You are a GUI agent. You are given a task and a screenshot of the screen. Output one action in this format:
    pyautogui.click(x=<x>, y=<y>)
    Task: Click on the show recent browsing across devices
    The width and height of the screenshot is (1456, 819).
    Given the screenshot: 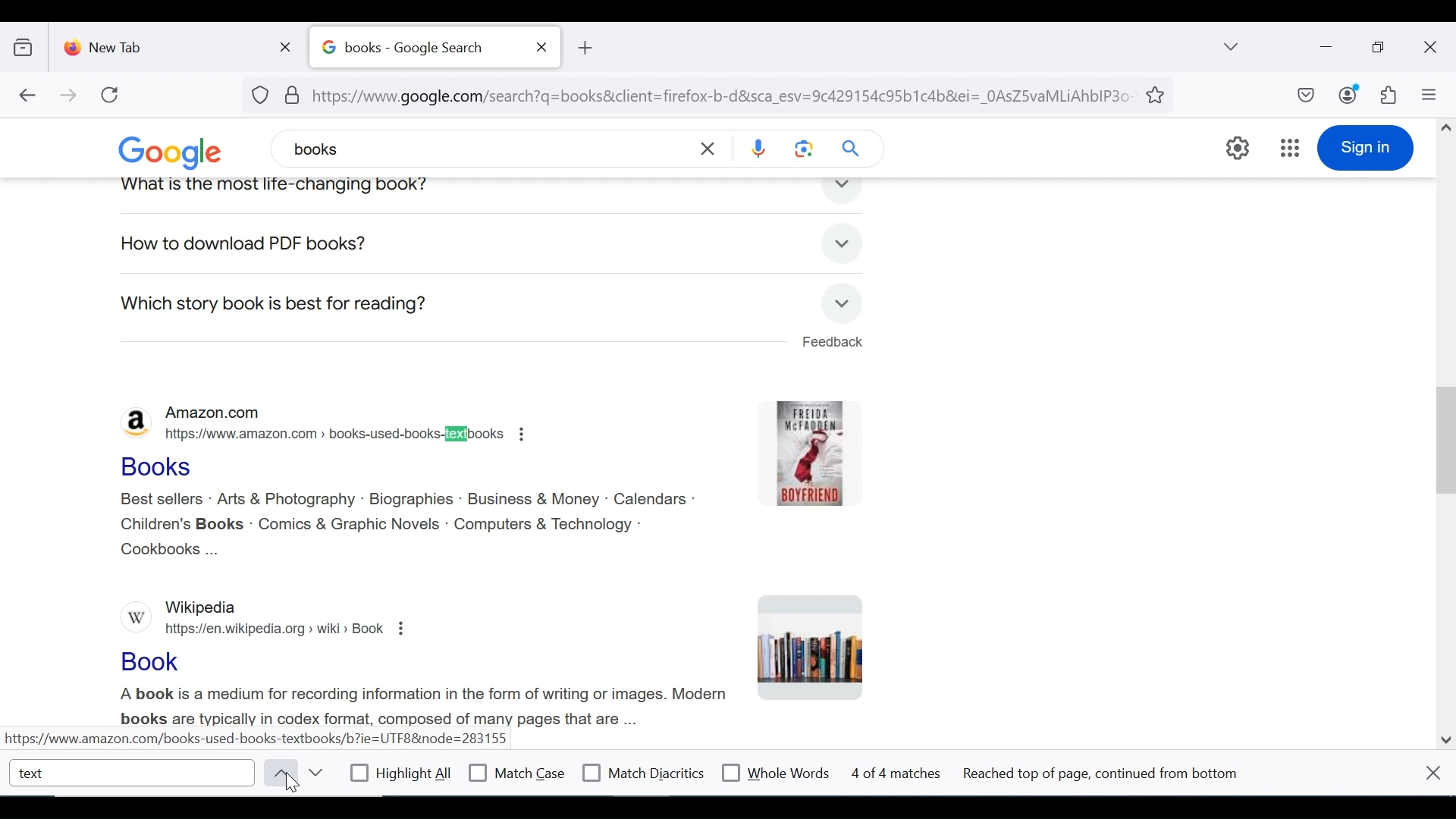 What is the action you would take?
    pyautogui.click(x=27, y=45)
    